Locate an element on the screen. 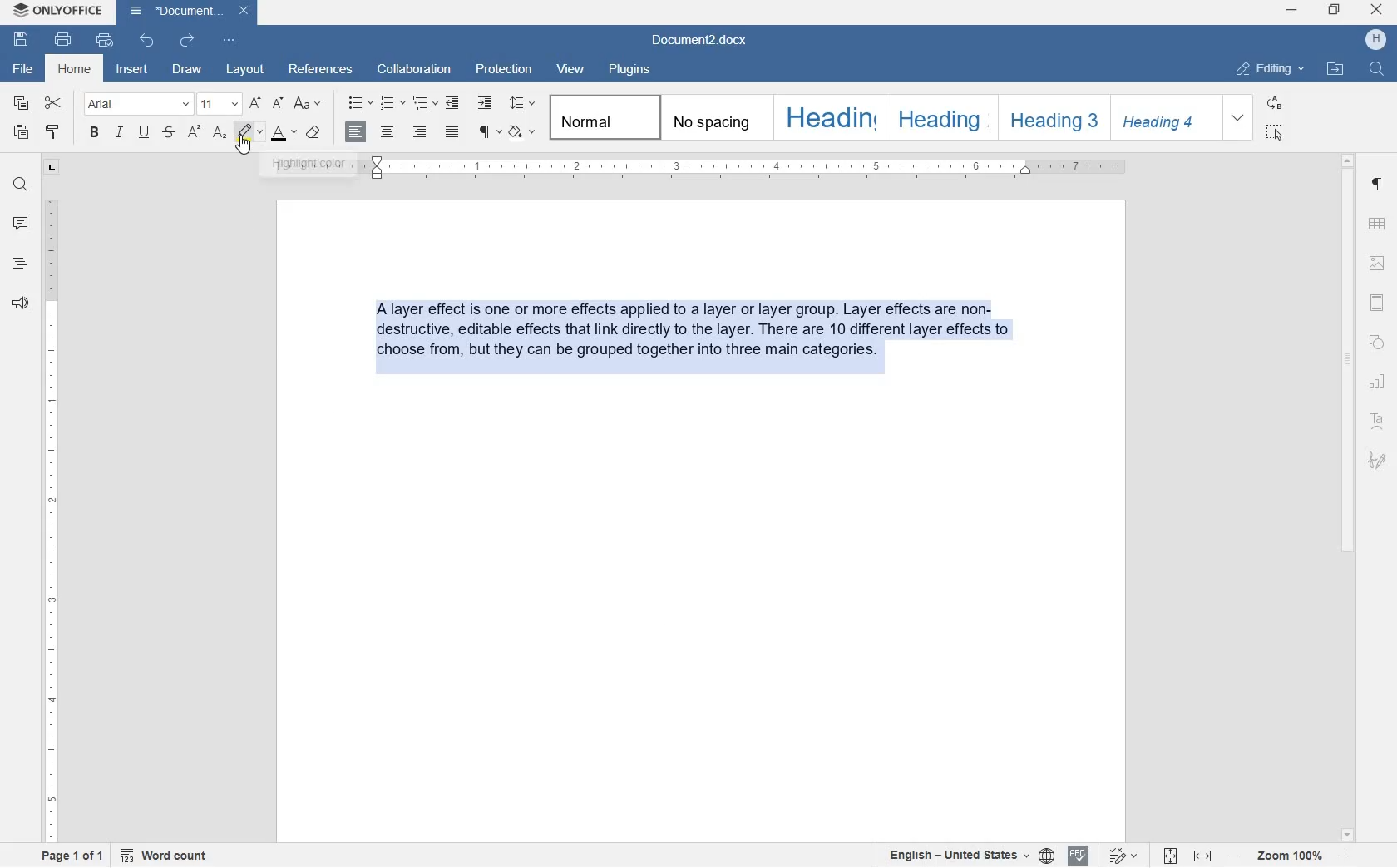 The height and width of the screenshot is (868, 1397). A layer effect is one or more effects applied to a layer or layer group. Layer effects are non-
destructive, editable effects that link directly to the layer. There are 10 different layer effects to
choose from, but they can be grouped together into three main categories. is located at coordinates (698, 340).